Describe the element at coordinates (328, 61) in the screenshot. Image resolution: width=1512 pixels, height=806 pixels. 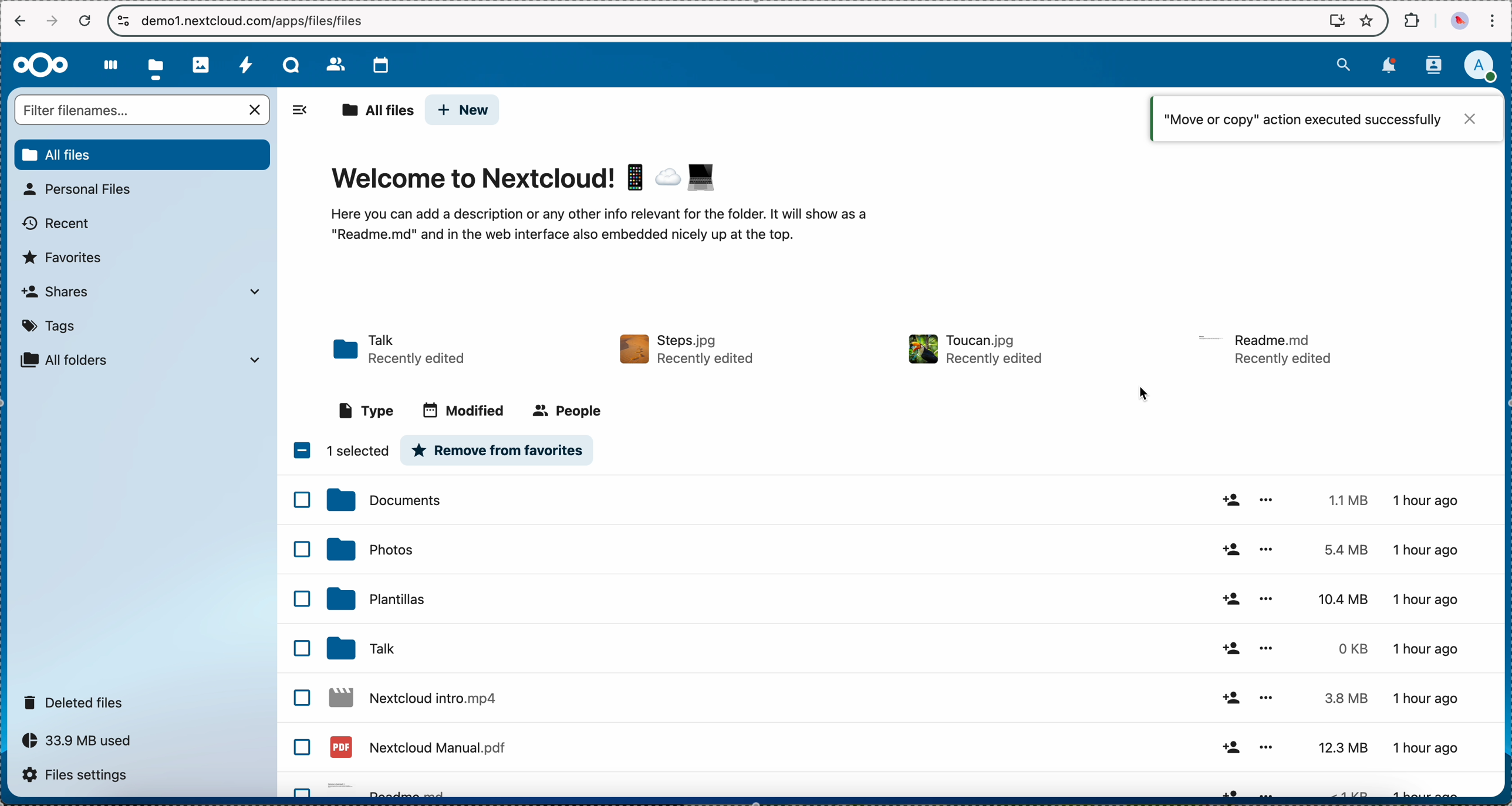
I see `contacts` at that location.